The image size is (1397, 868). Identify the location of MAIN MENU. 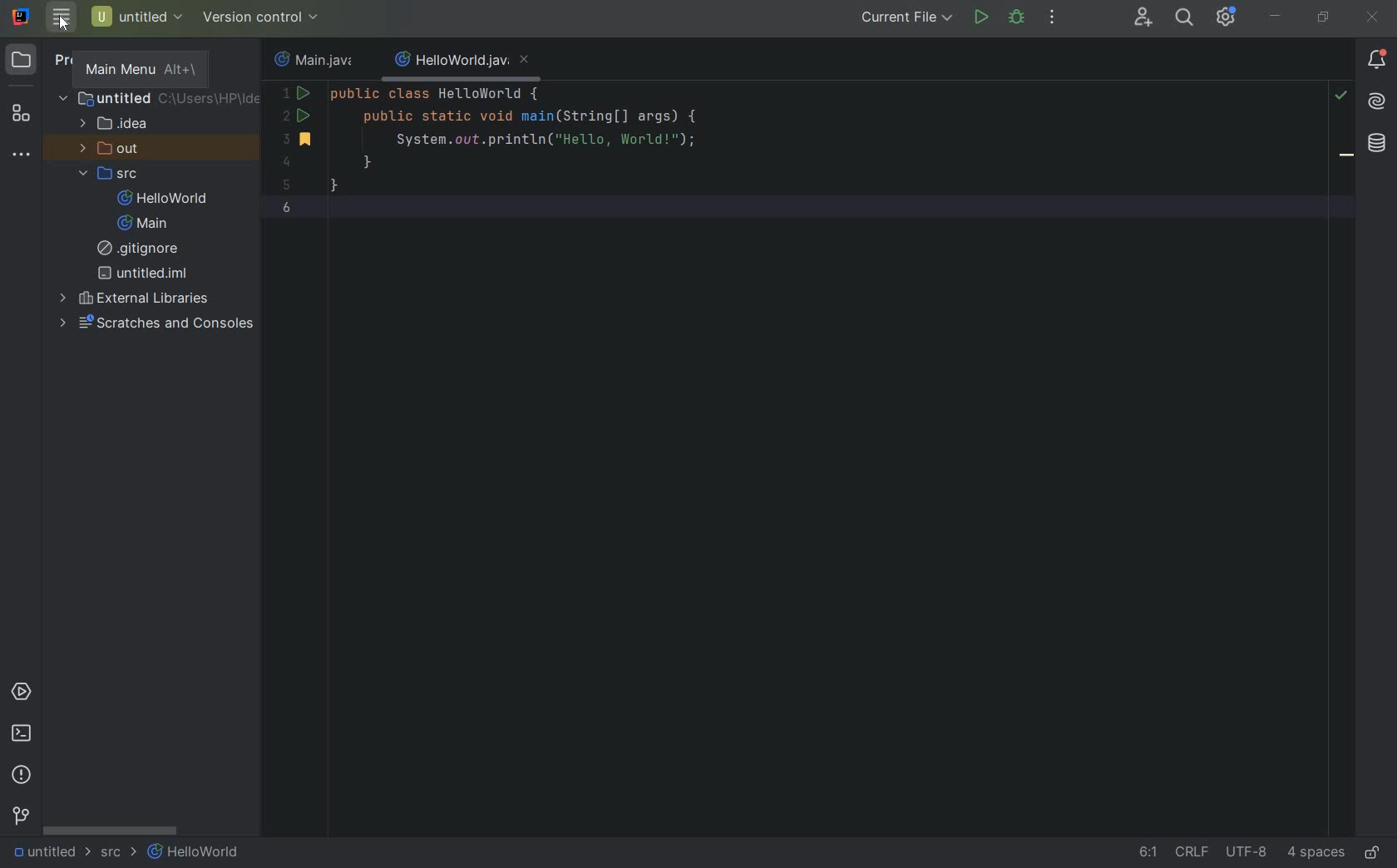
(144, 68).